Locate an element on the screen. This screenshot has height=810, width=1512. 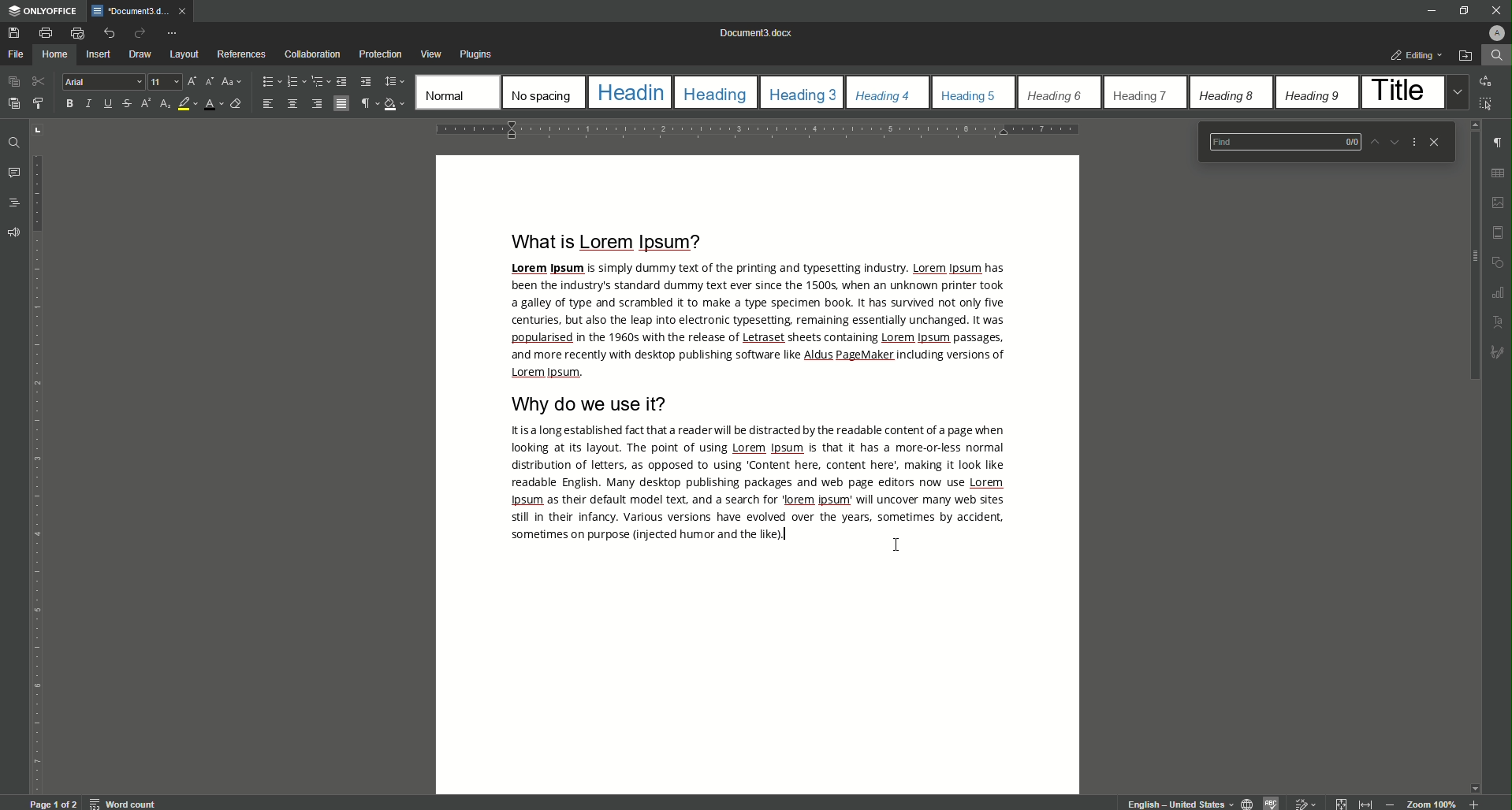
Restore is located at coordinates (1463, 9).